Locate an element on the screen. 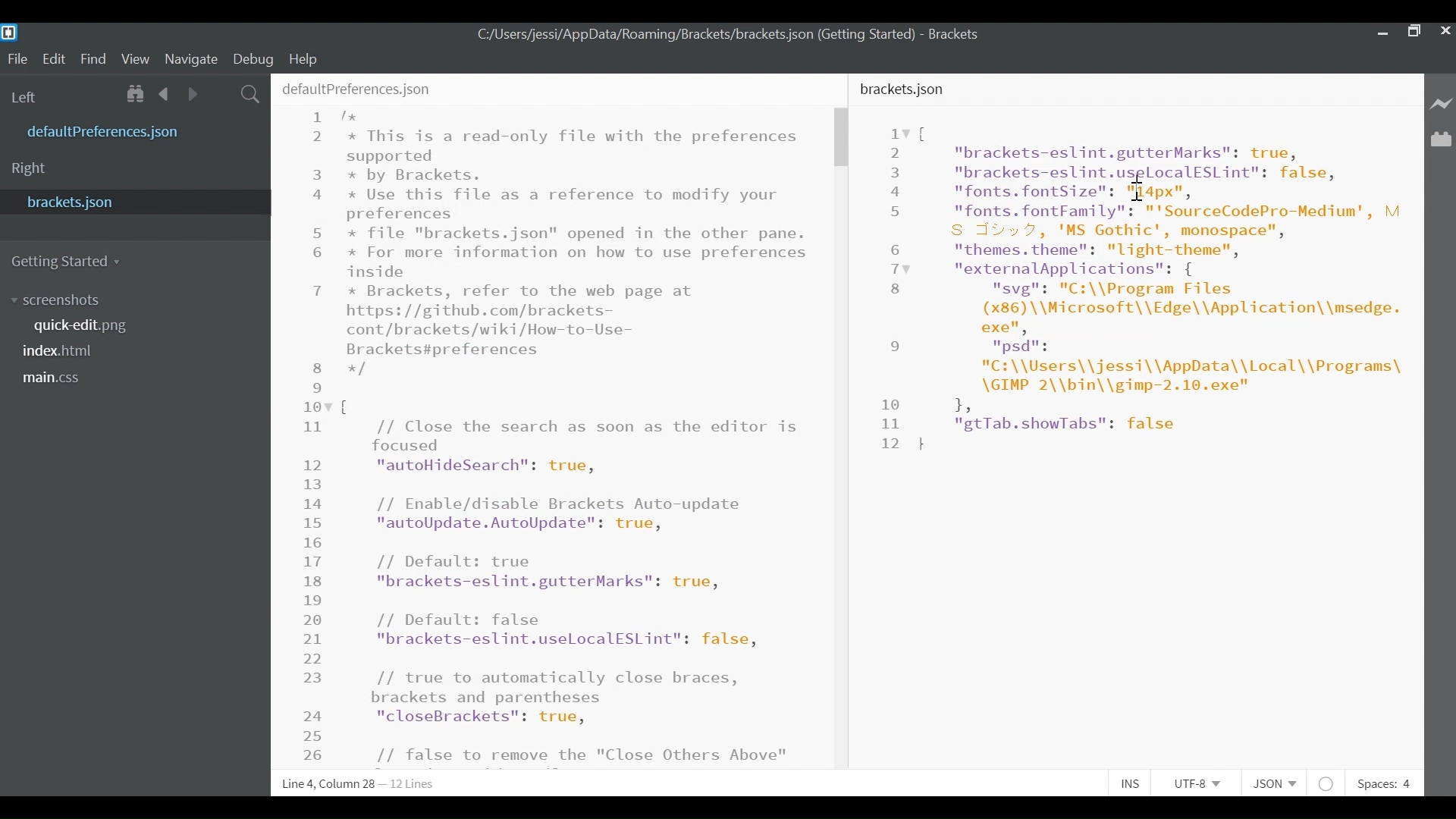  bracket.json is located at coordinates (130, 203).